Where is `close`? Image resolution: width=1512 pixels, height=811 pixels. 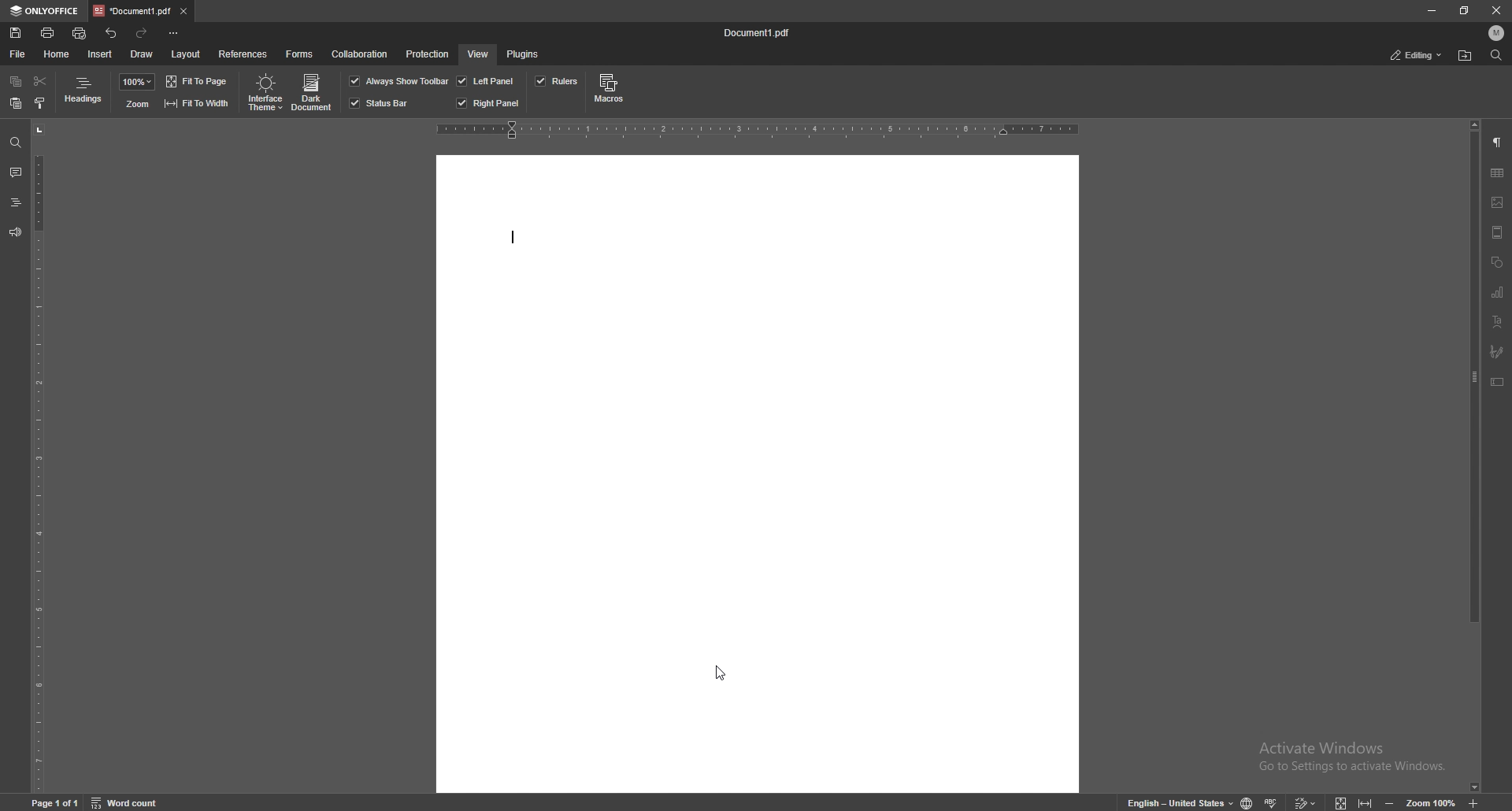 close is located at coordinates (1499, 10).